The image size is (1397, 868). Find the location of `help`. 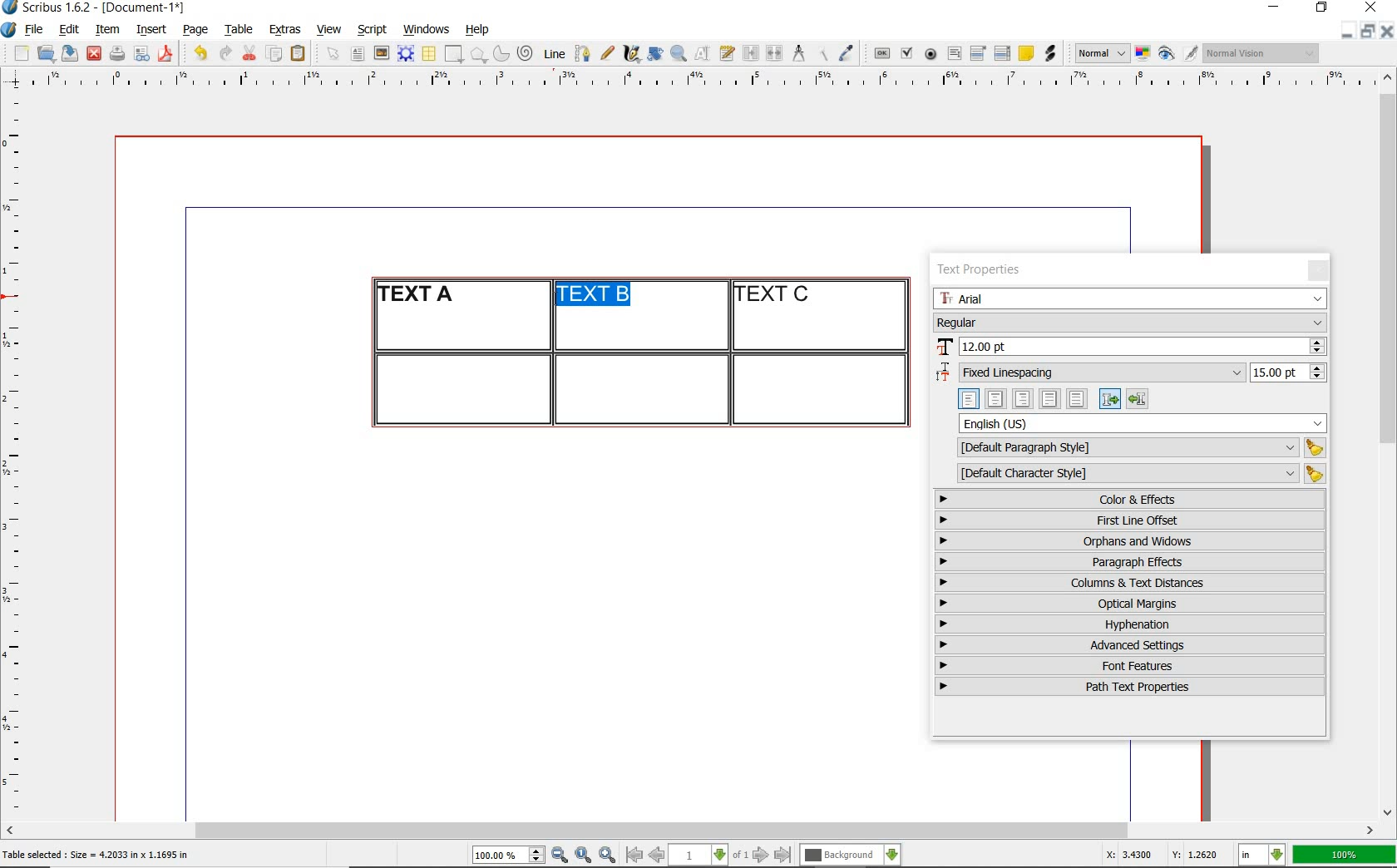

help is located at coordinates (476, 31).